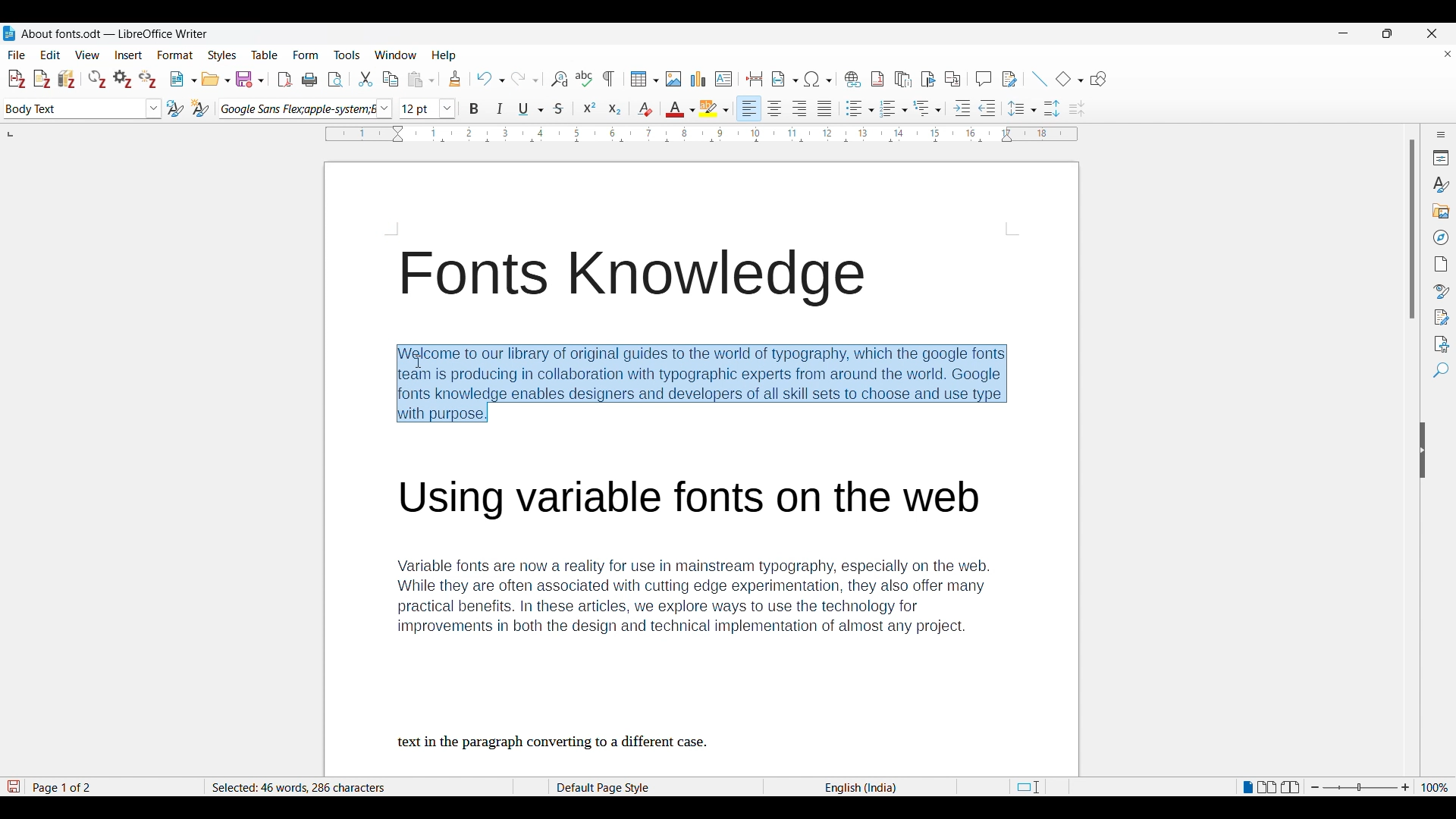 Image resolution: width=1456 pixels, height=819 pixels. What do you see at coordinates (50, 55) in the screenshot?
I see `Edit menu` at bounding box center [50, 55].